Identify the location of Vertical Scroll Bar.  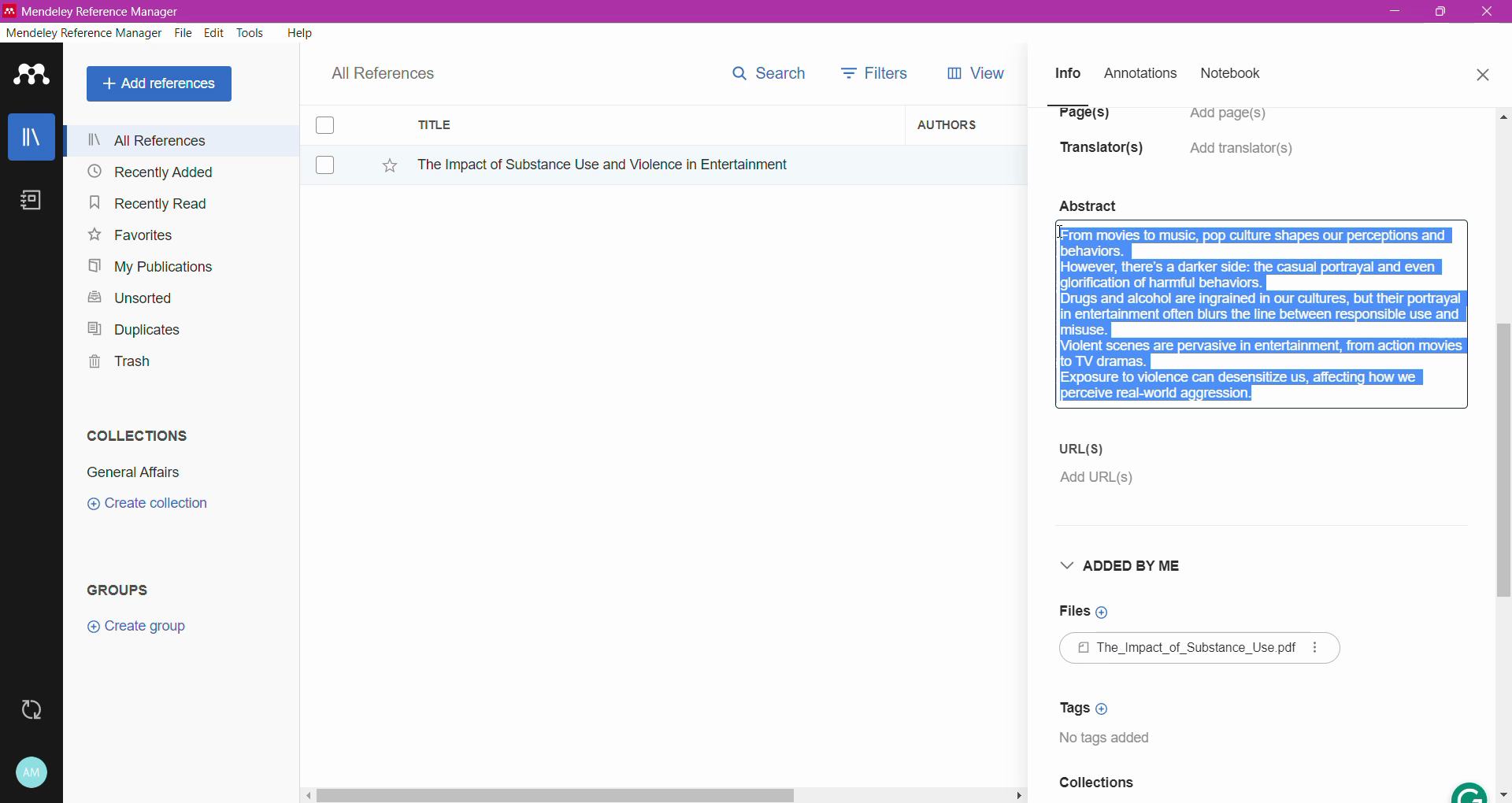
(1503, 453).